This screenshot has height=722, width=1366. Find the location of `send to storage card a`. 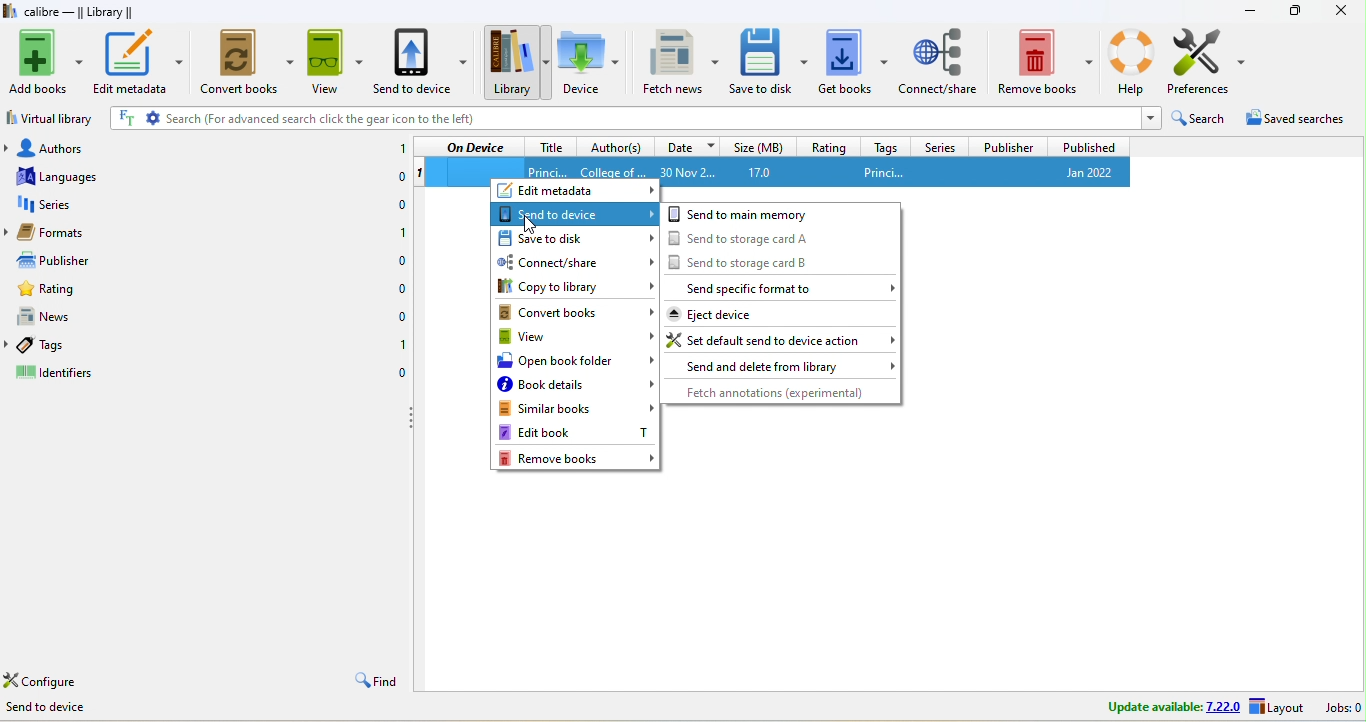

send to storage card a is located at coordinates (783, 238).